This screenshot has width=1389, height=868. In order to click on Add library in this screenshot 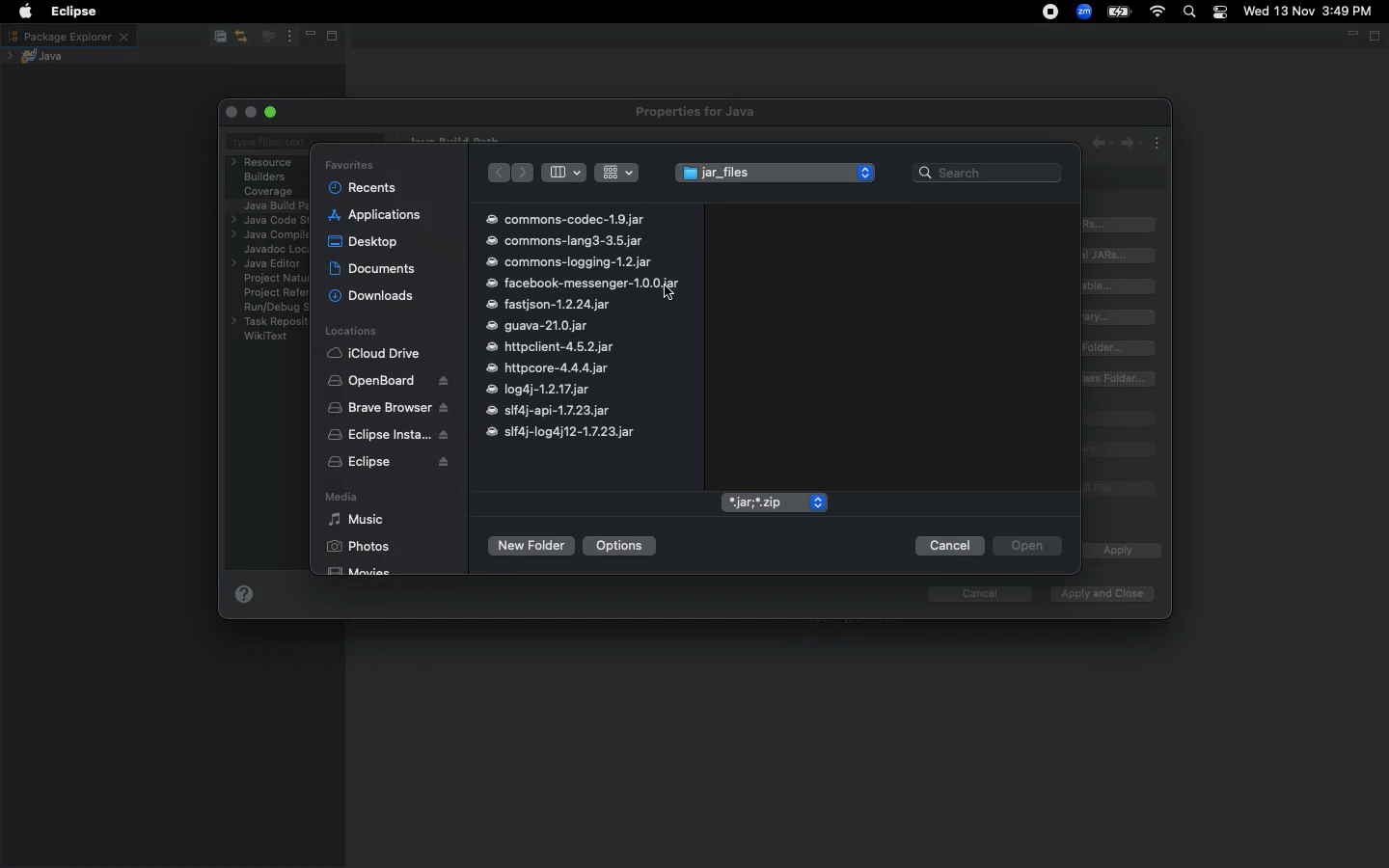, I will do `click(1123, 317)`.